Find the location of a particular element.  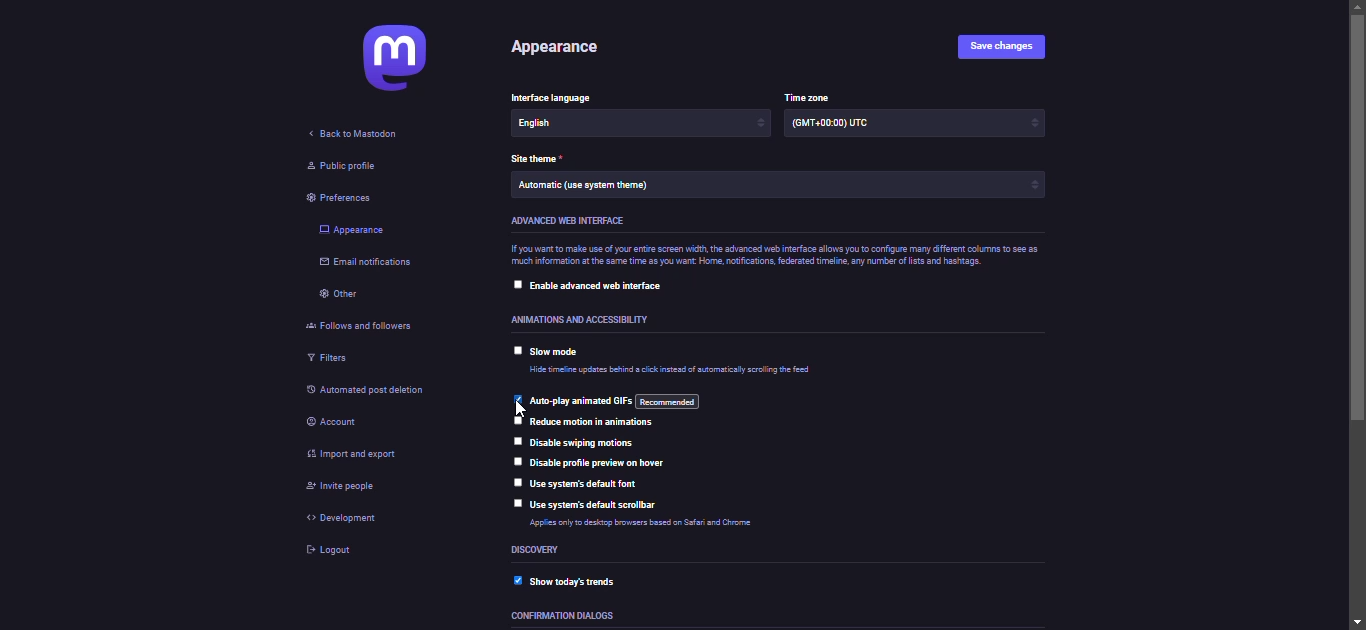

theme is located at coordinates (594, 186).